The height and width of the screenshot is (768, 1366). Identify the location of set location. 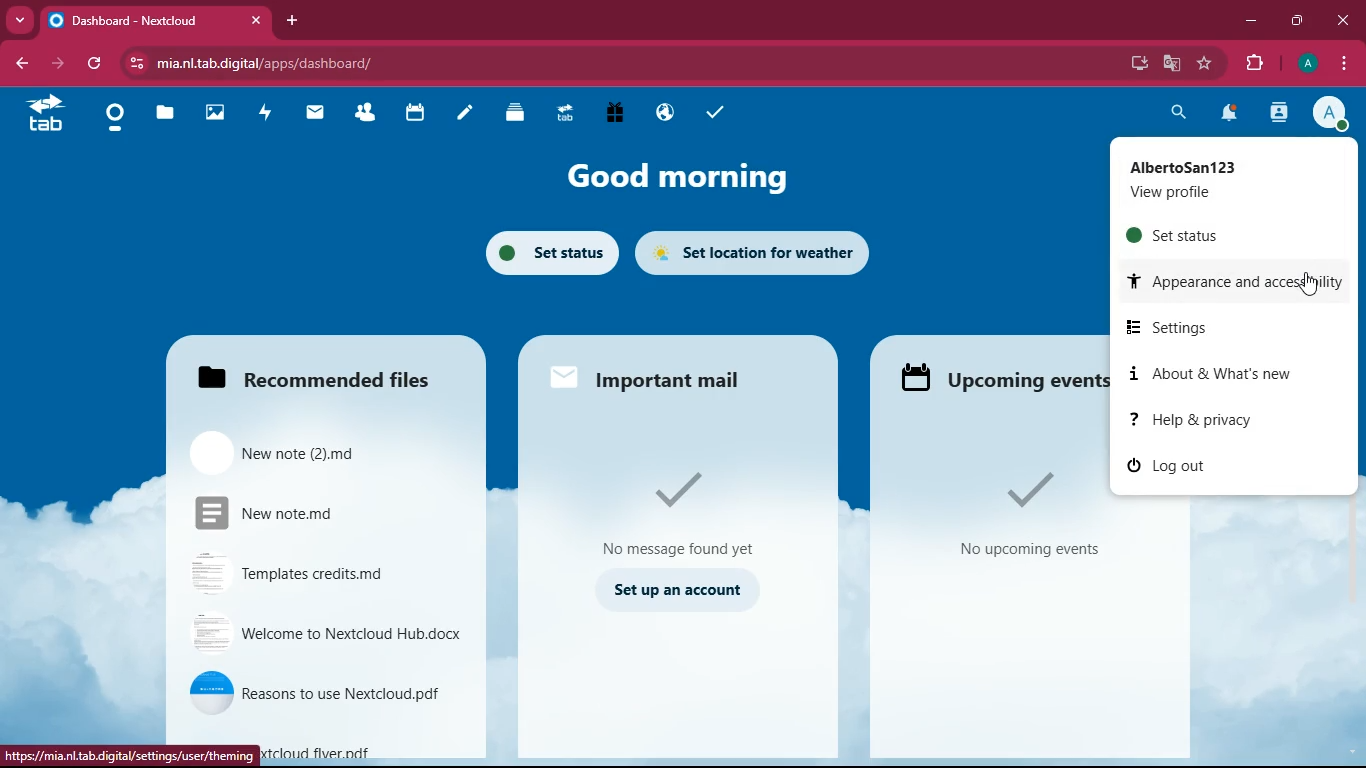
(760, 252).